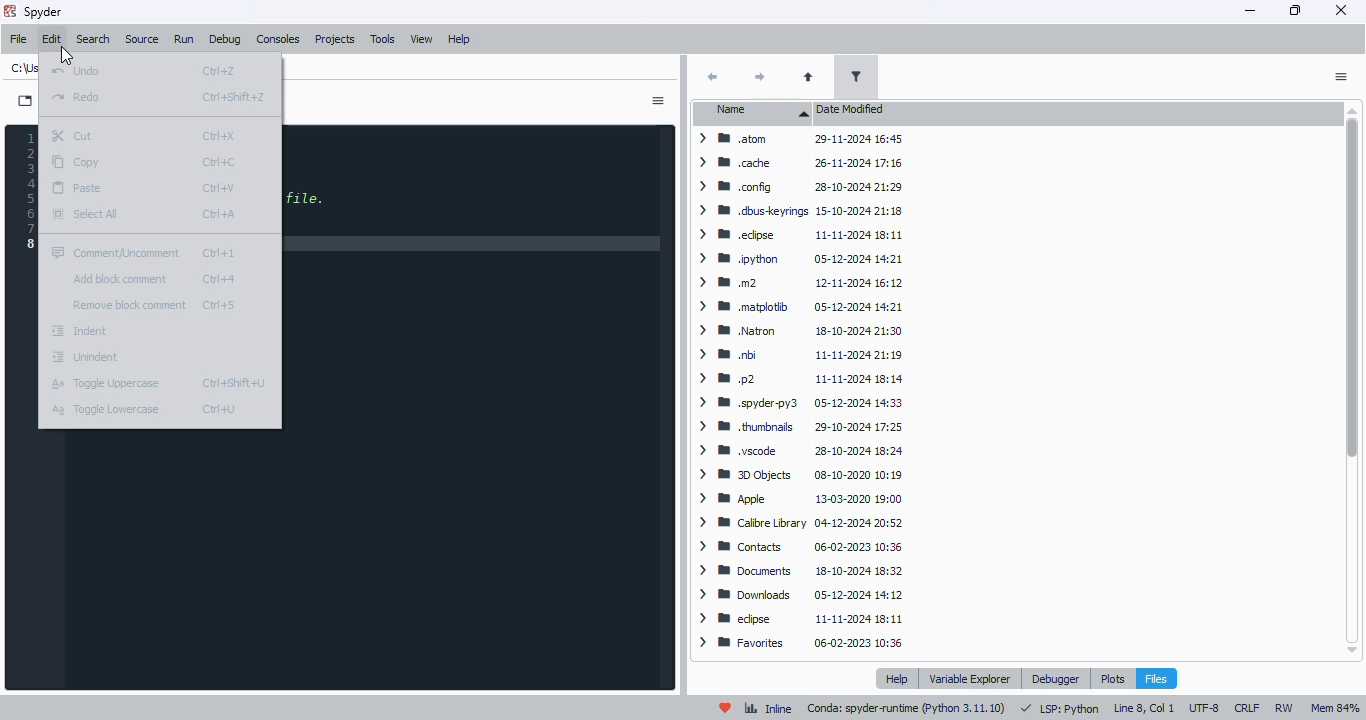  What do you see at coordinates (801, 619) in the screenshot?
I see `> WM edipse 11-11-2024 18:11` at bounding box center [801, 619].